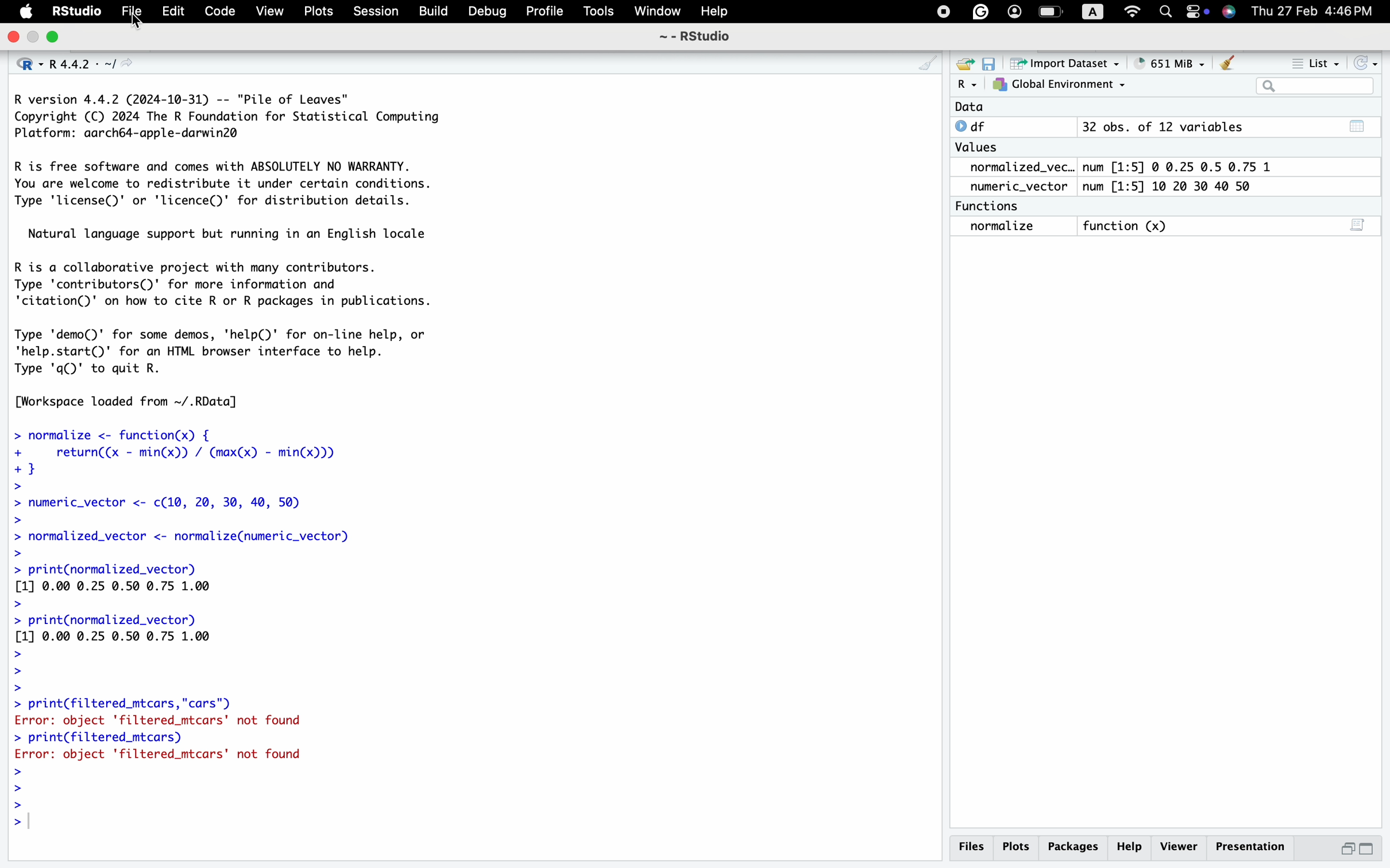  What do you see at coordinates (170, 13) in the screenshot?
I see `Edit` at bounding box center [170, 13].